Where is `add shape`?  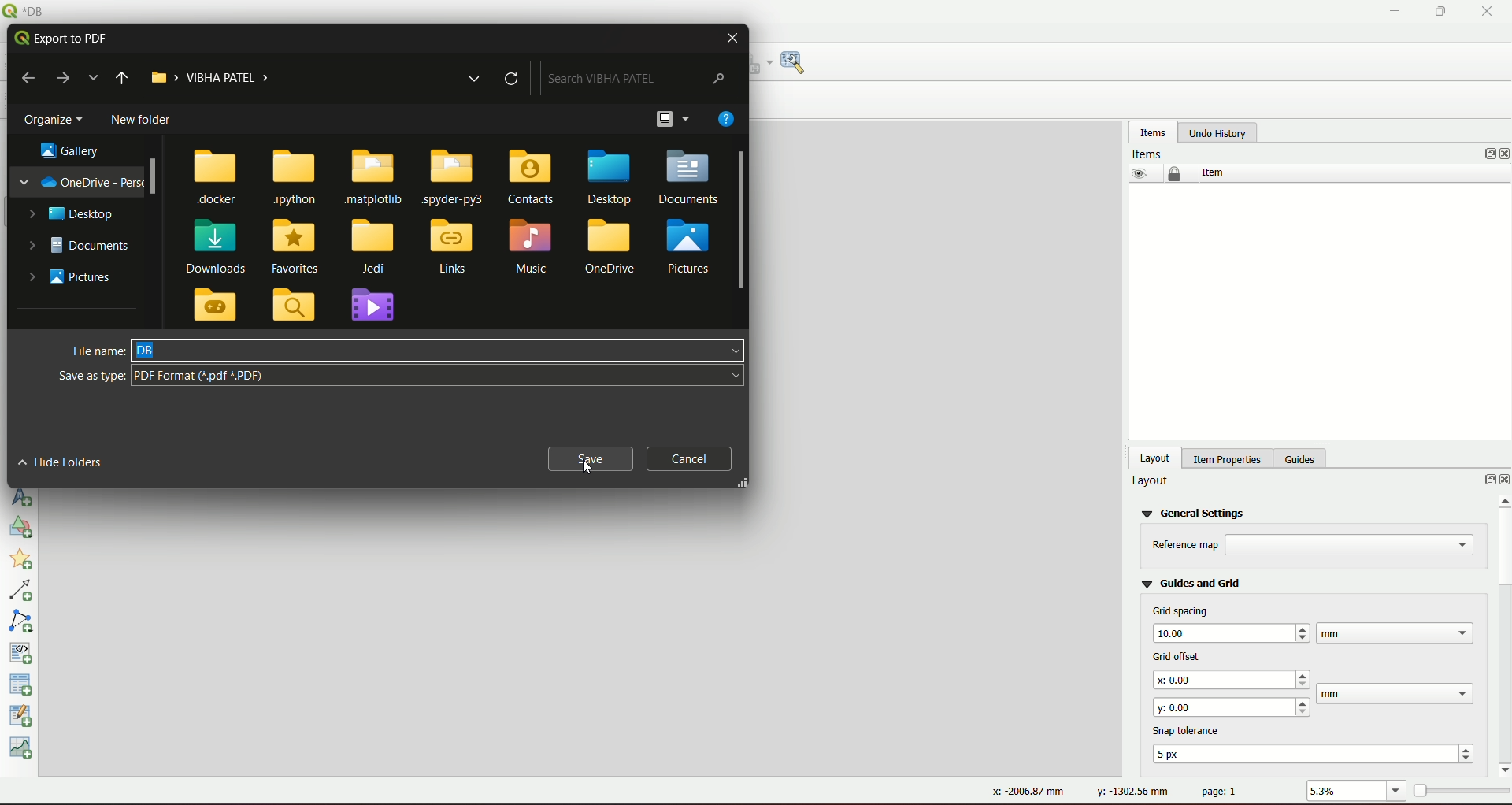
add shape is located at coordinates (19, 530).